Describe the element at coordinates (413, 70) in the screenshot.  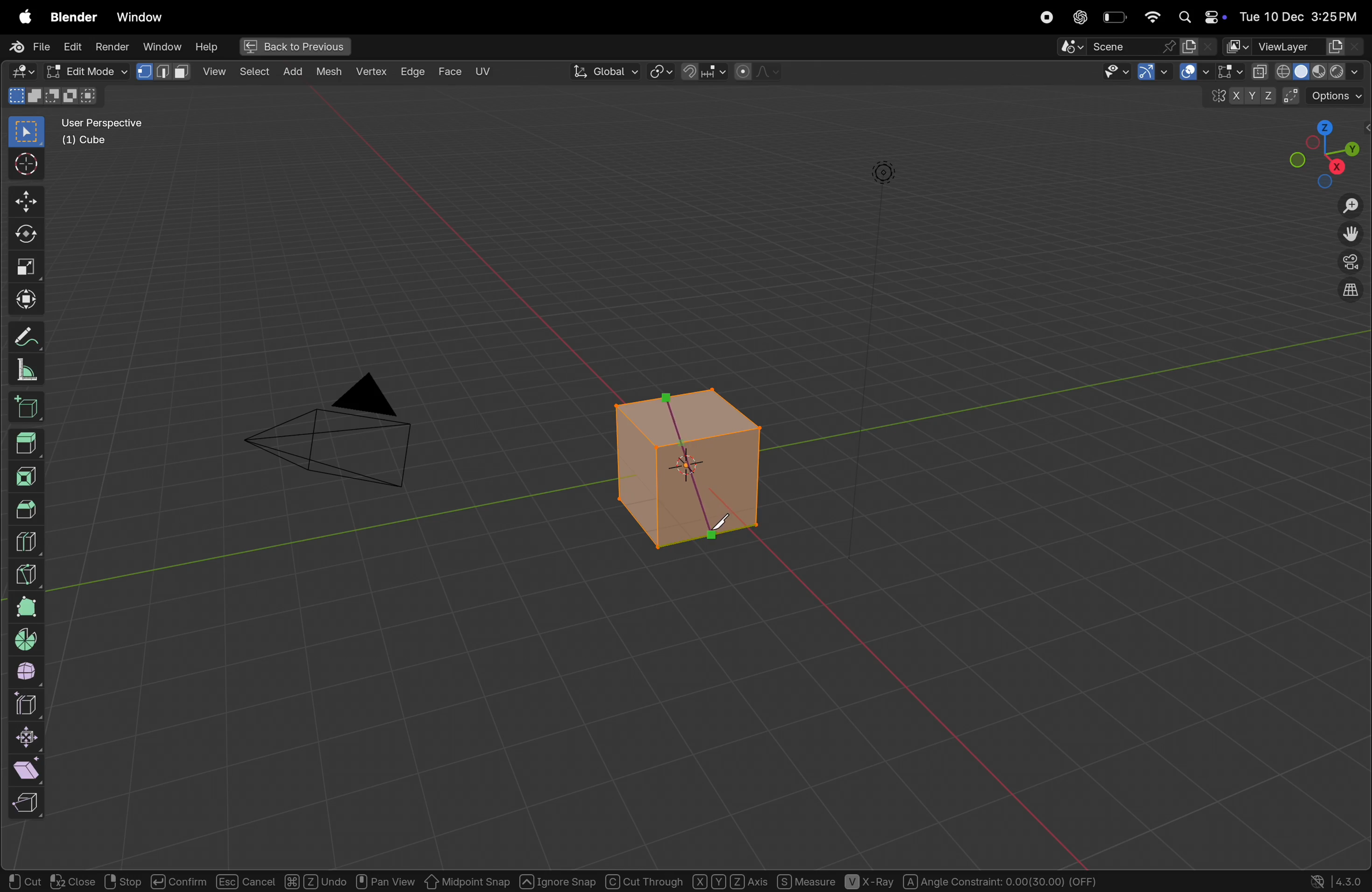
I see `x Edge` at that location.